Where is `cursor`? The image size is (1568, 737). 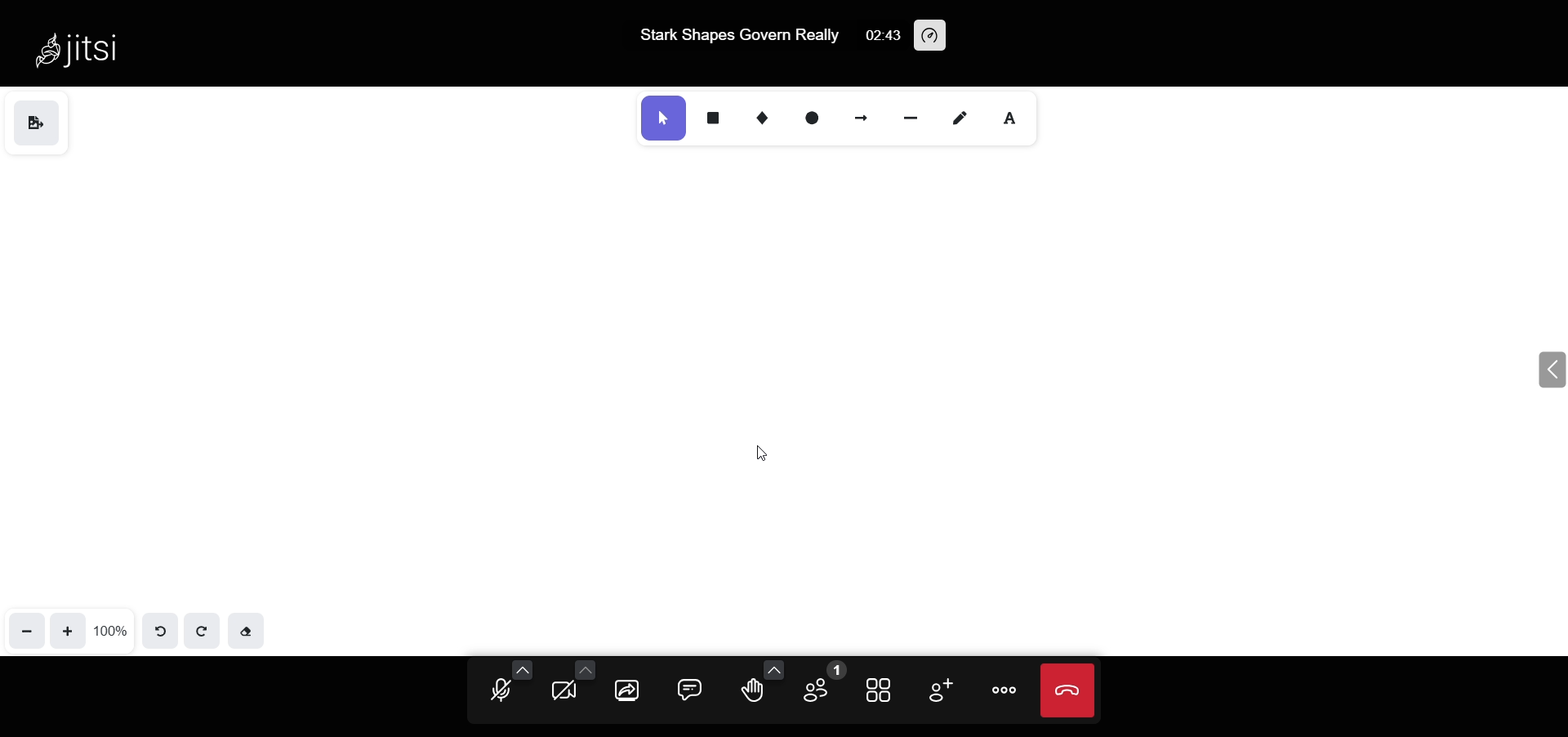
cursor is located at coordinates (744, 456).